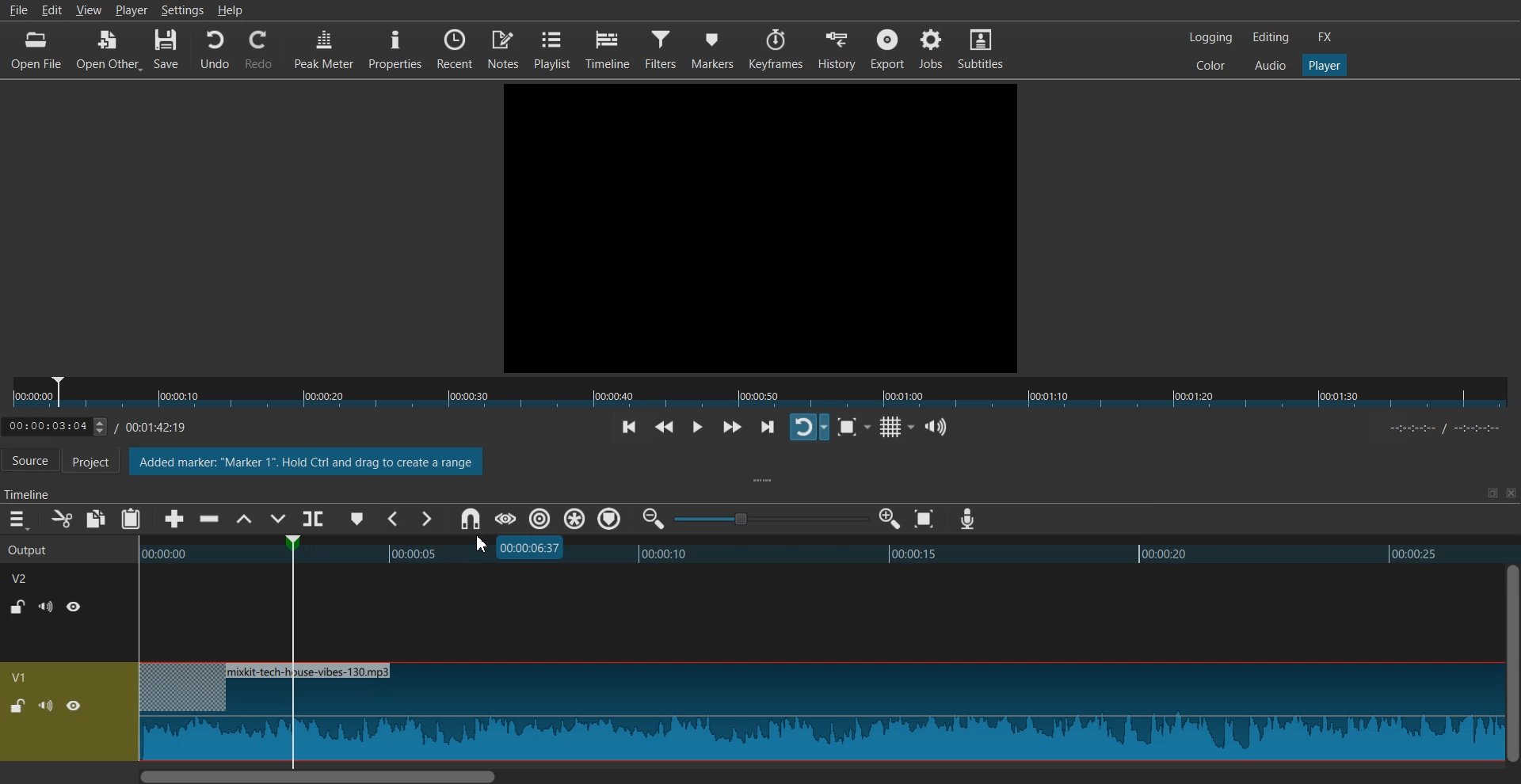  I want to click on Open File, so click(38, 50).